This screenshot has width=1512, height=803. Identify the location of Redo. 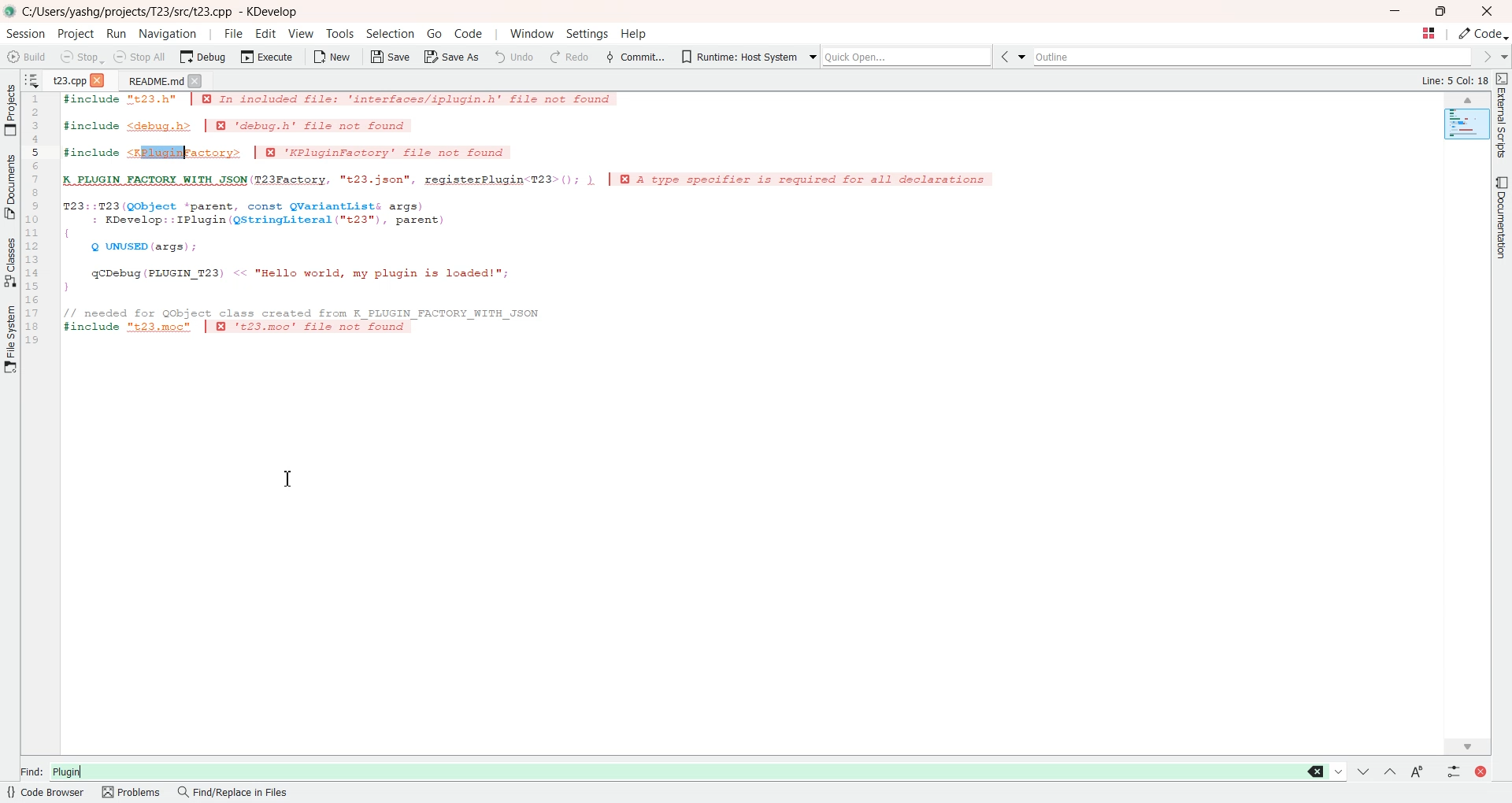
(568, 57).